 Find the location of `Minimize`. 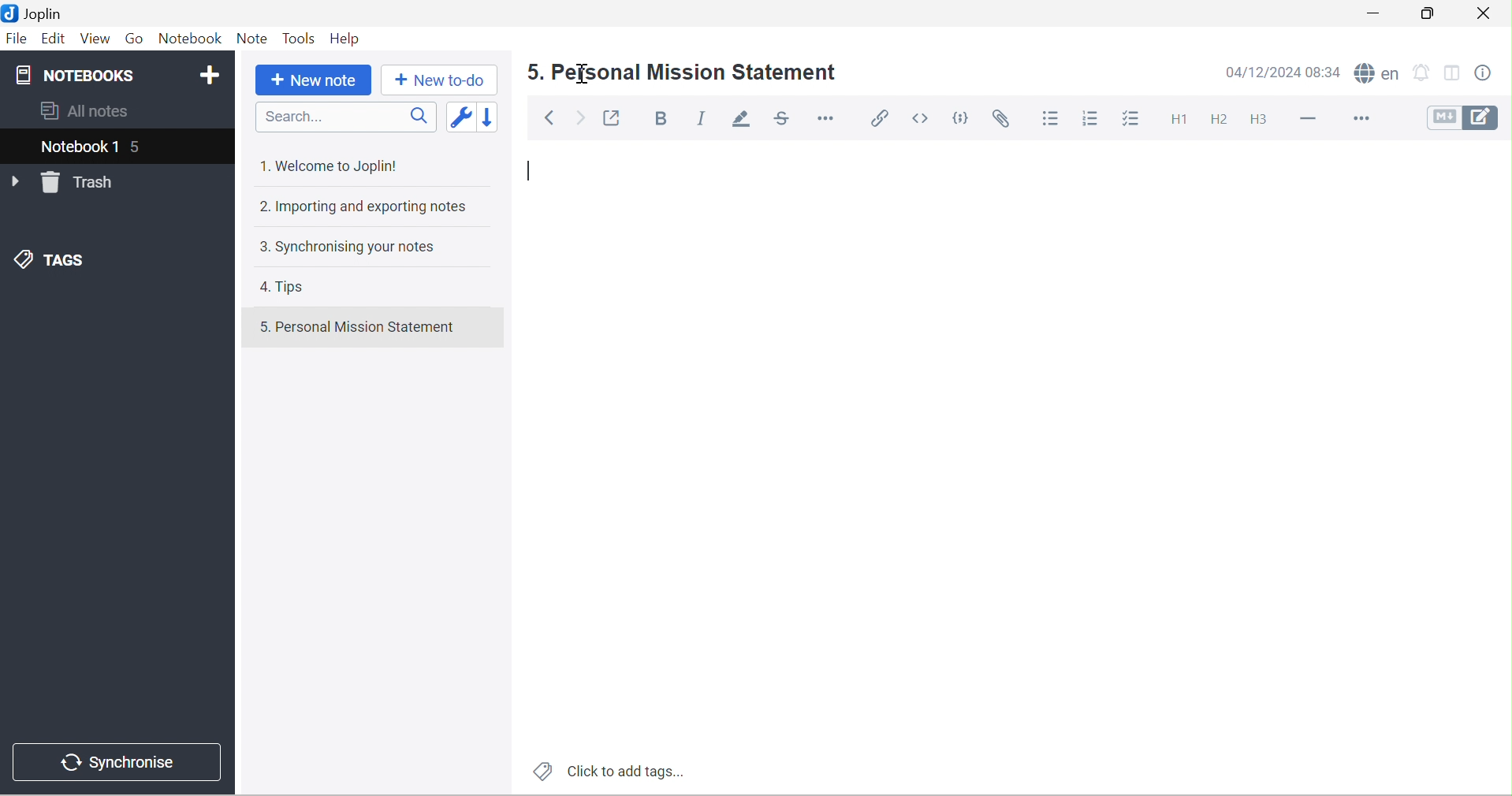

Minimize is located at coordinates (1371, 15).